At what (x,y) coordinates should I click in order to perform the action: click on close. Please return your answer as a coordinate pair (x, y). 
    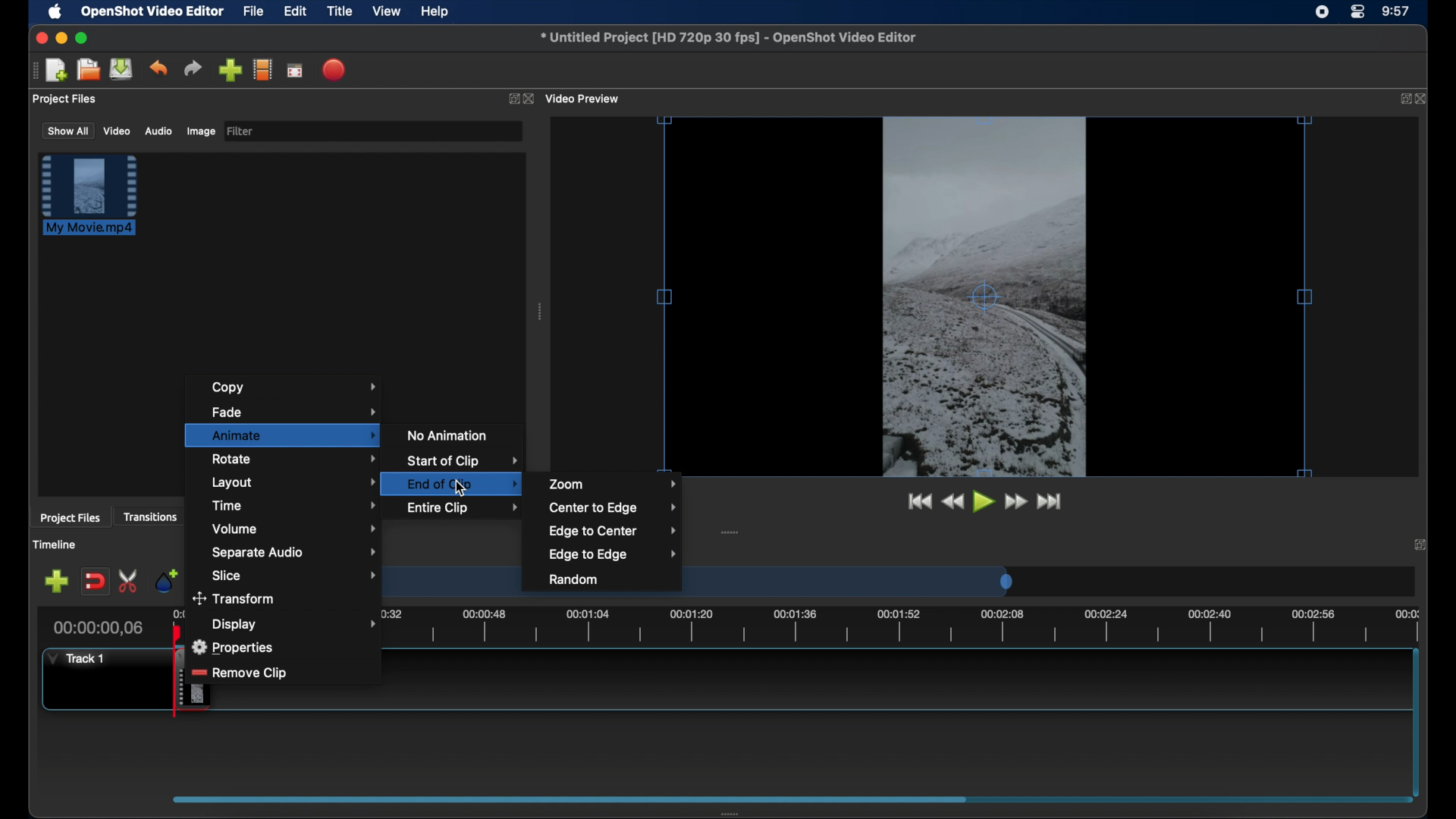
    Looking at the image, I should click on (1423, 99).